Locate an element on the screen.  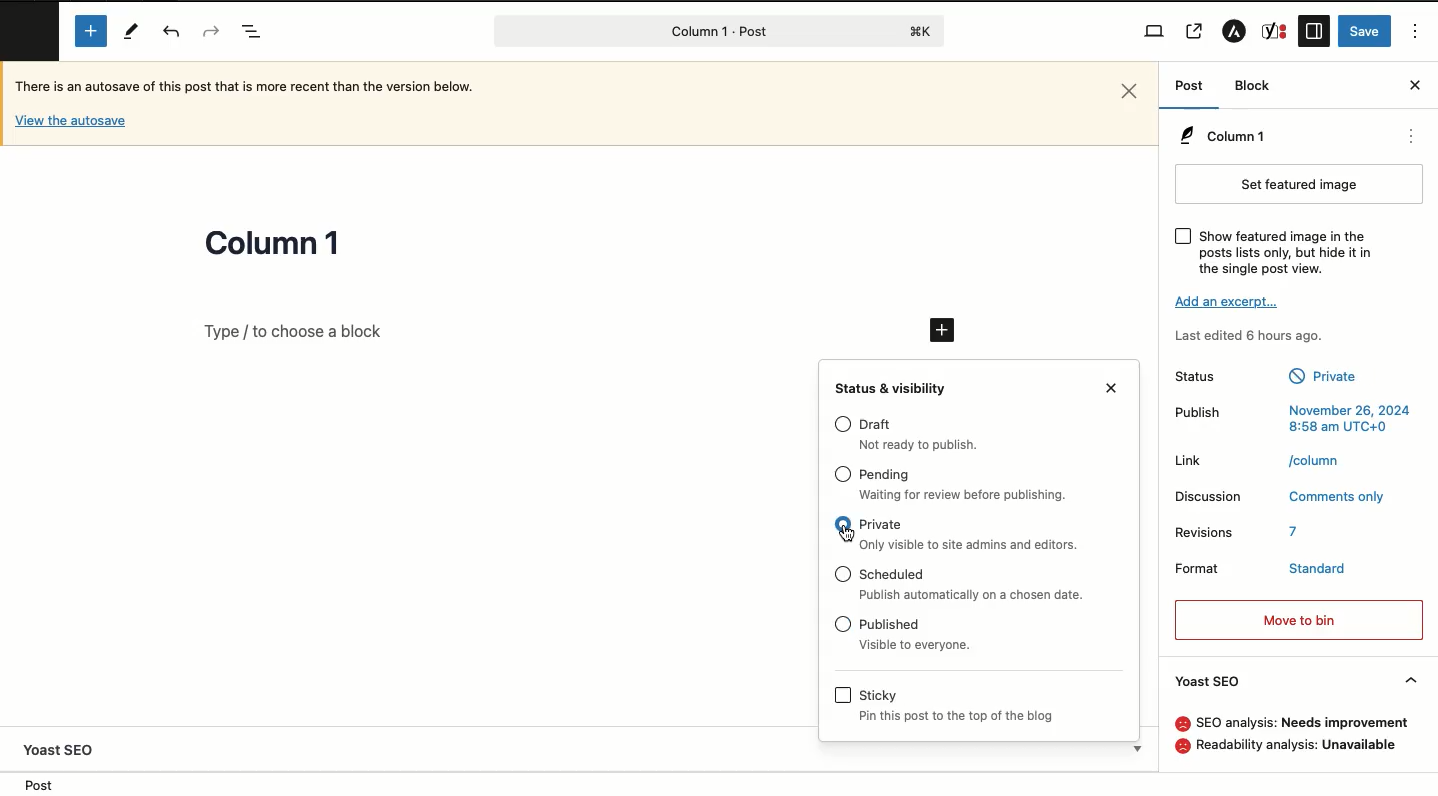
more is located at coordinates (1414, 138).